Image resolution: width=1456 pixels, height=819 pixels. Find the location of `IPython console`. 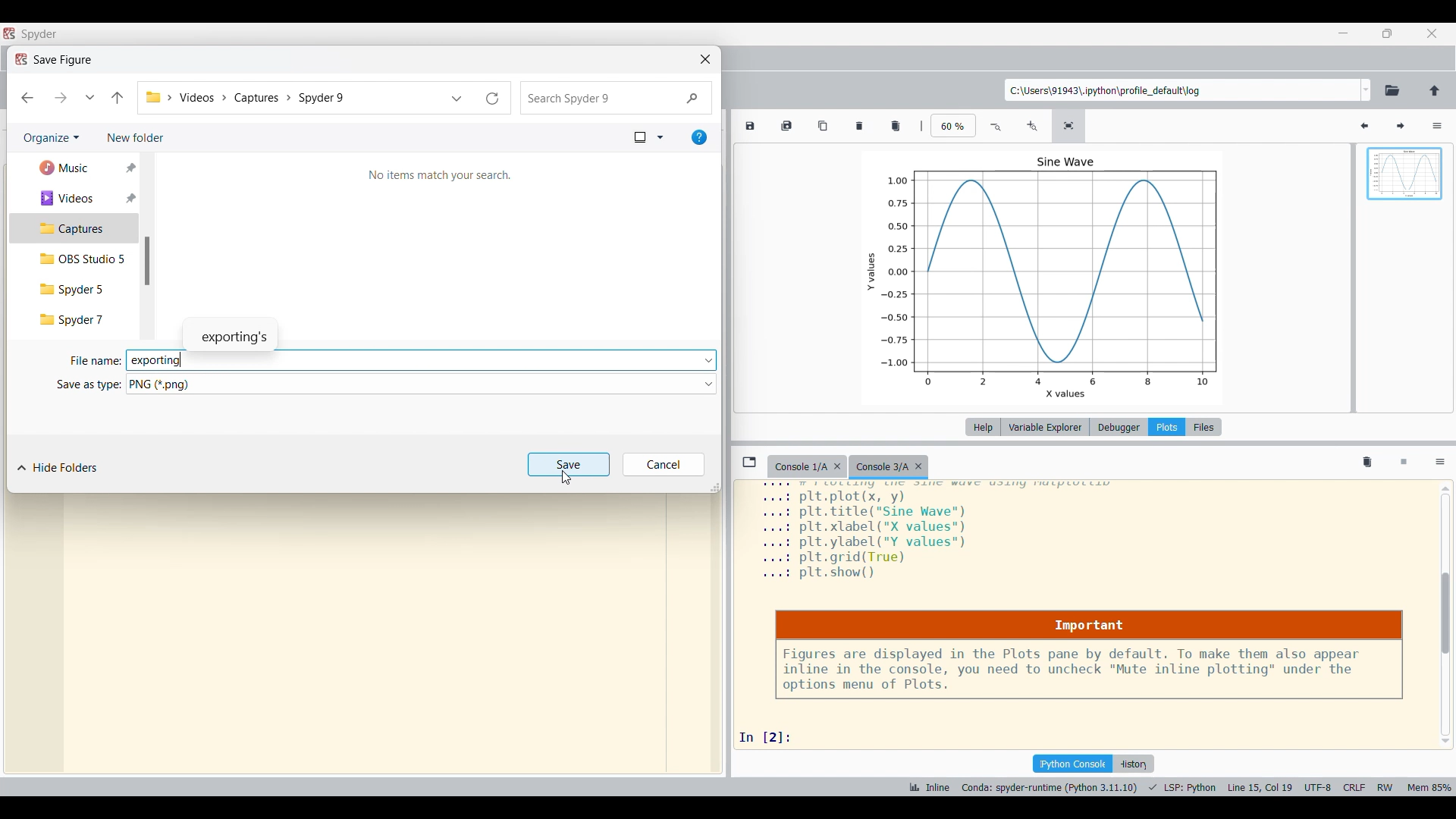

IPython console is located at coordinates (1072, 764).